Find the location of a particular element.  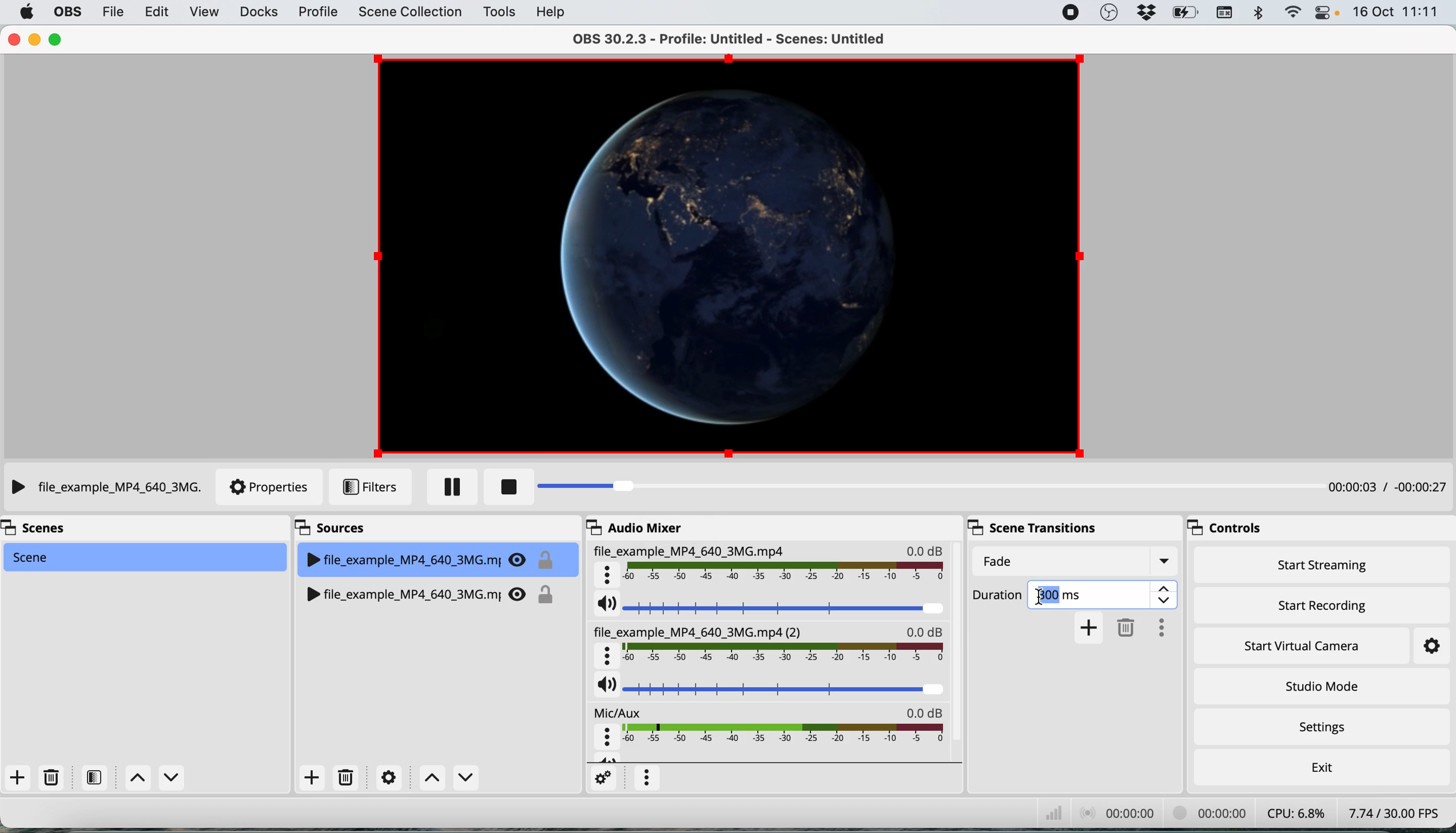

start streaming is located at coordinates (1327, 567).